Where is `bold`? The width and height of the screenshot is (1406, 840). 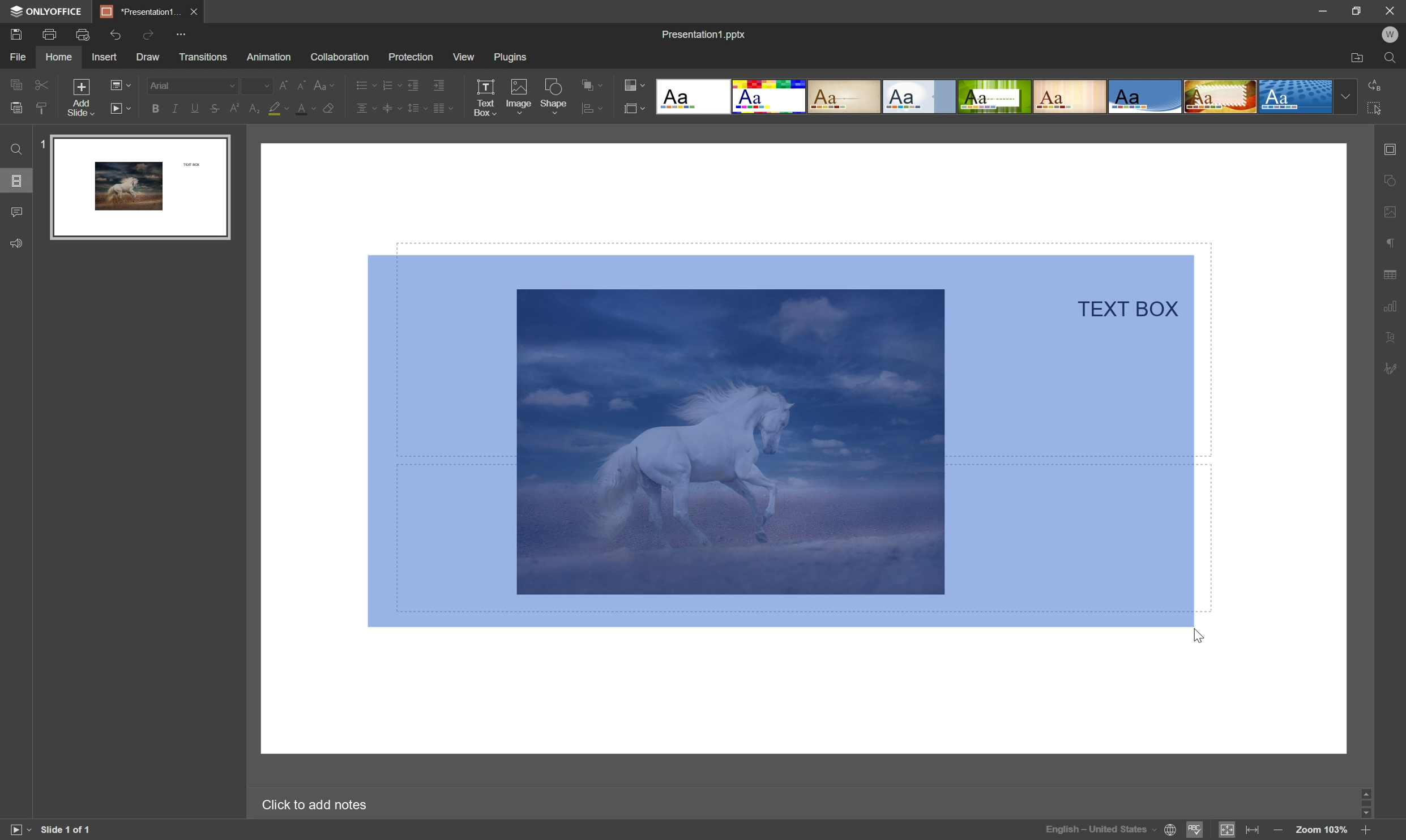
bold is located at coordinates (156, 110).